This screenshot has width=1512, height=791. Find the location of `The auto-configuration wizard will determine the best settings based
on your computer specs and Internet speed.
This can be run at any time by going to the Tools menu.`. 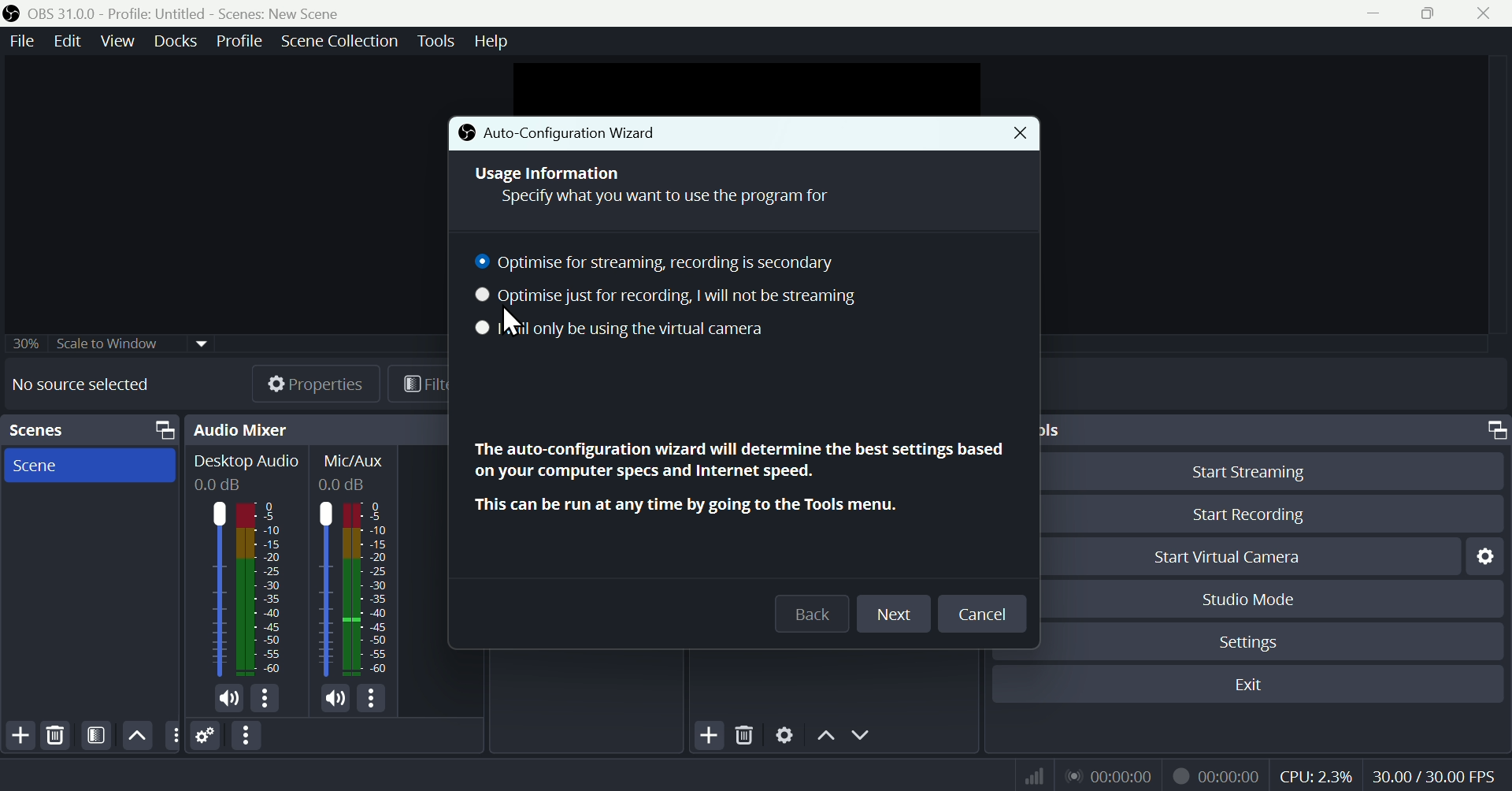

The auto-configuration wizard will determine the best settings based
on your computer specs and Internet speed.
This can be run at any time by going to the Tools menu. is located at coordinates (736, 477).